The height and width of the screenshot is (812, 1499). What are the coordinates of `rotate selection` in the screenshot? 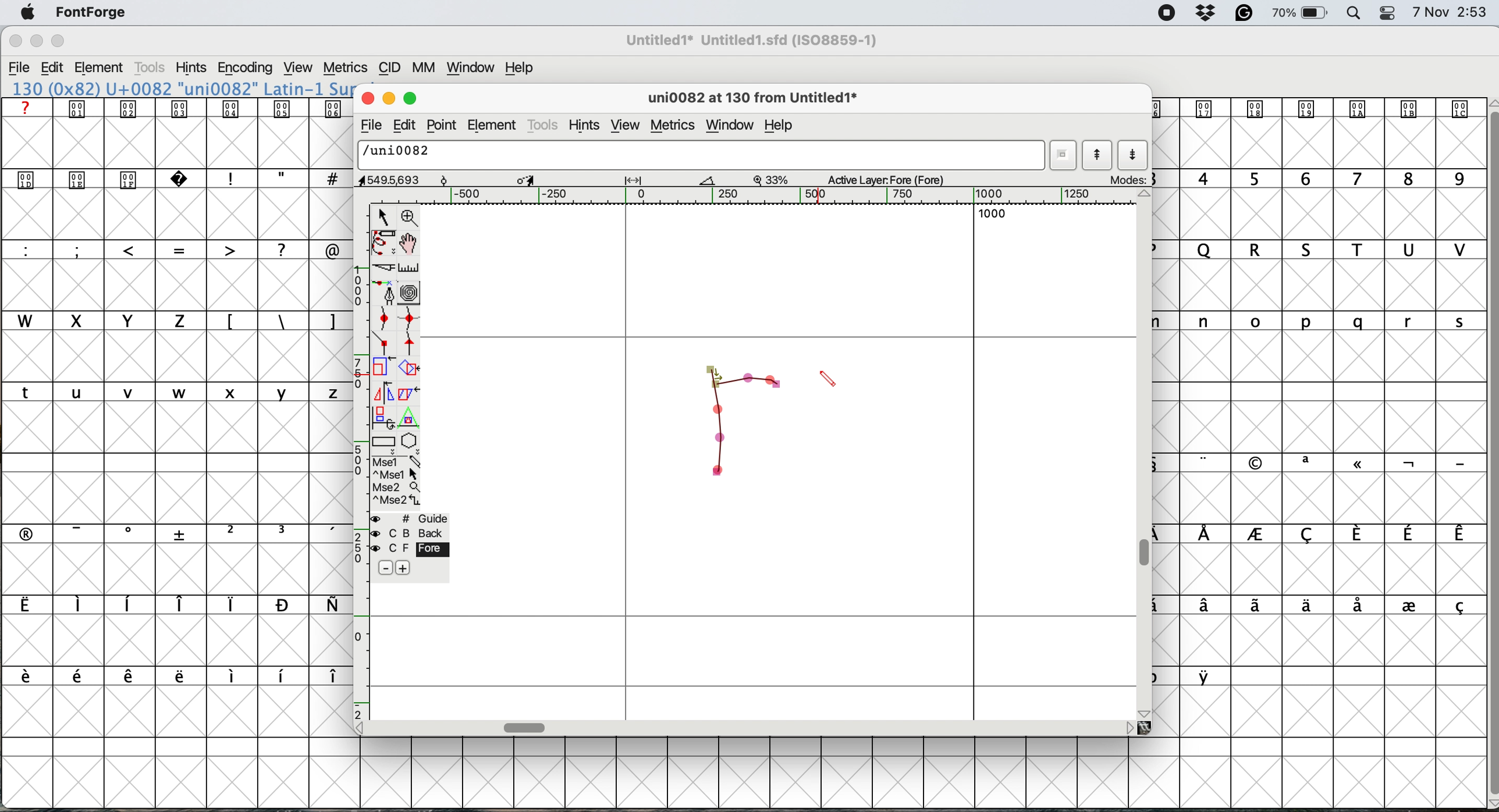 It's located at (410, 369).